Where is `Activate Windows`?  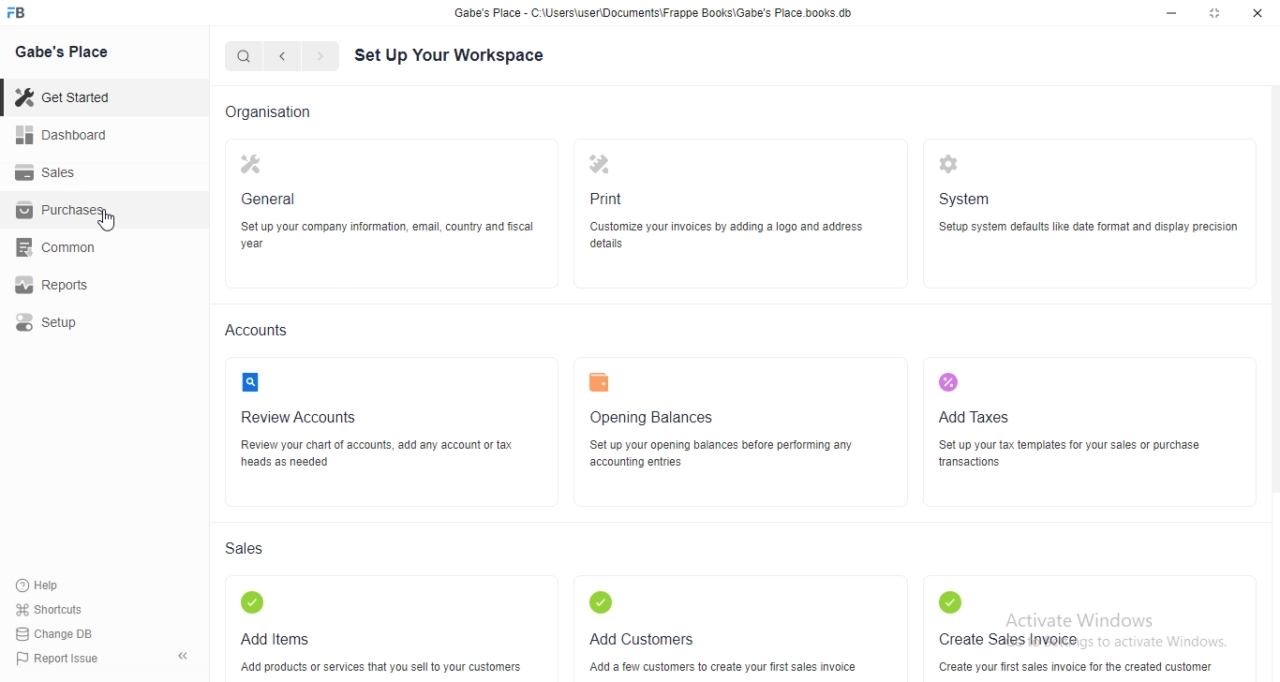
Activate Windows is located at coordinates (1081, 618).